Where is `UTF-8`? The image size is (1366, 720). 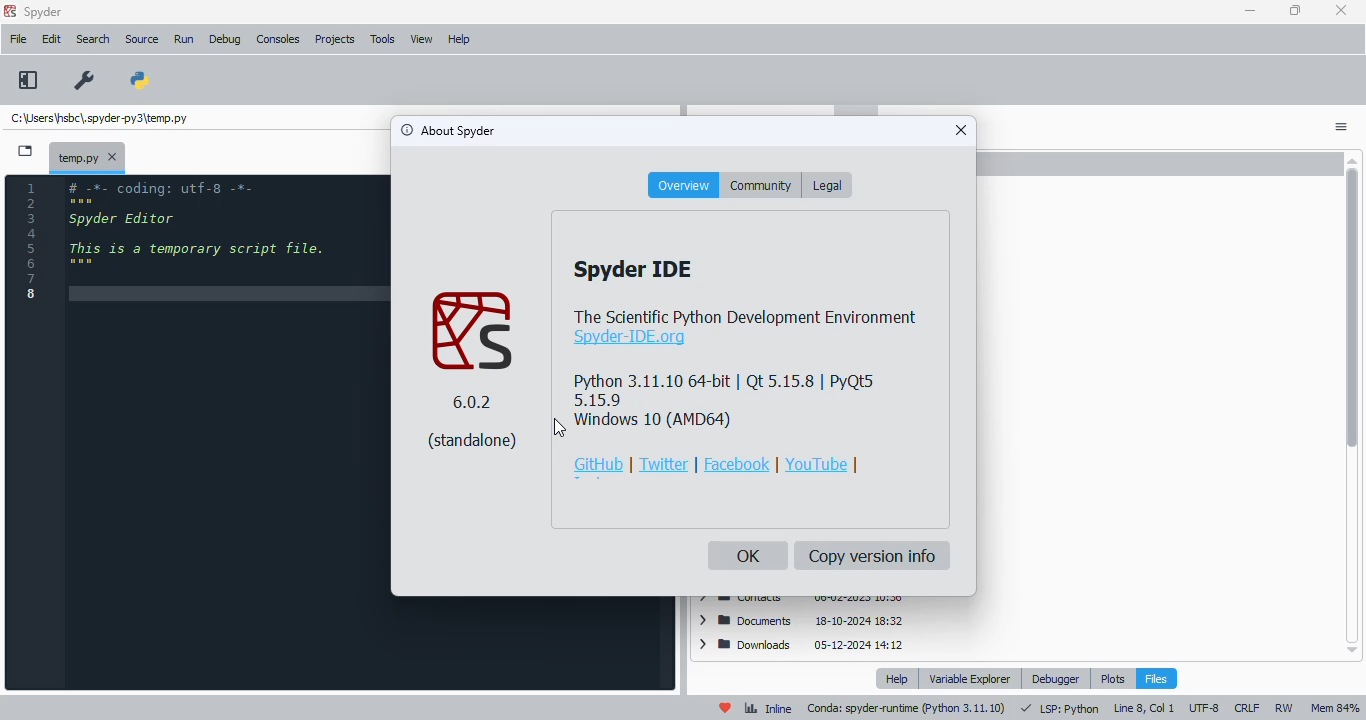
UTF-8 is located at coordinates (1203, 707).